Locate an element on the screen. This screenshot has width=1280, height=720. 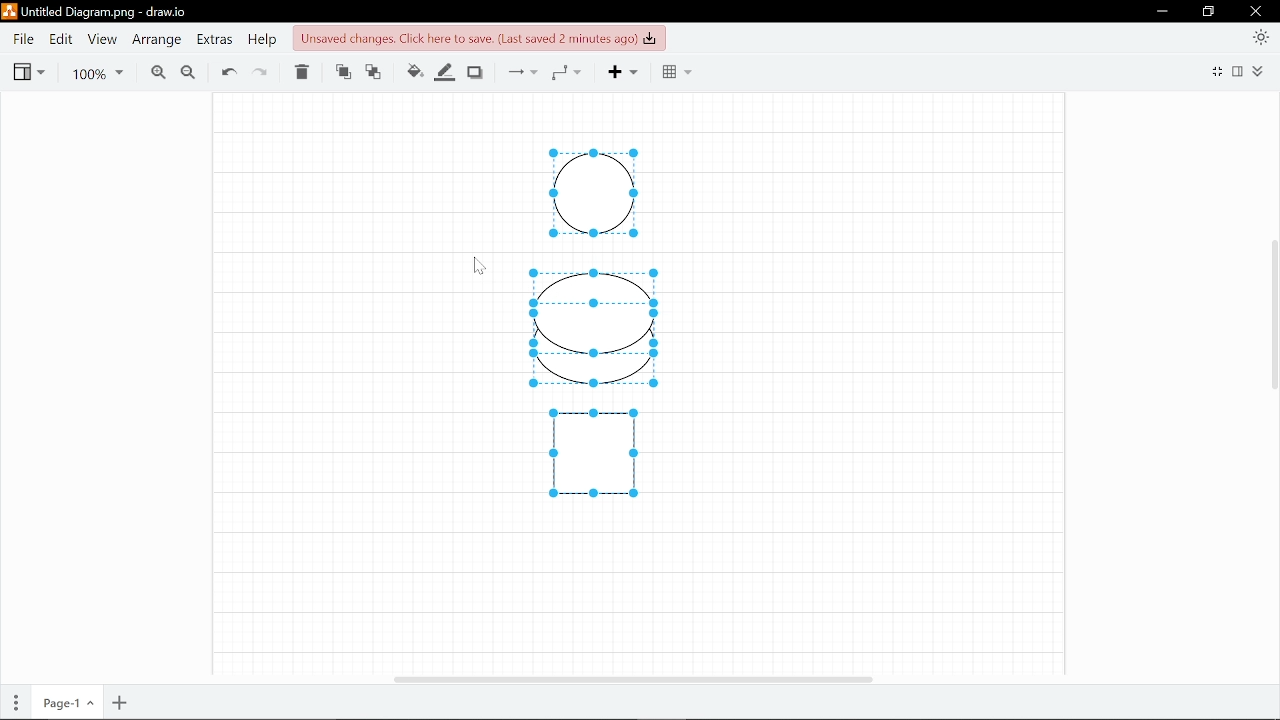
Format is located at coordinates (1240, 71).